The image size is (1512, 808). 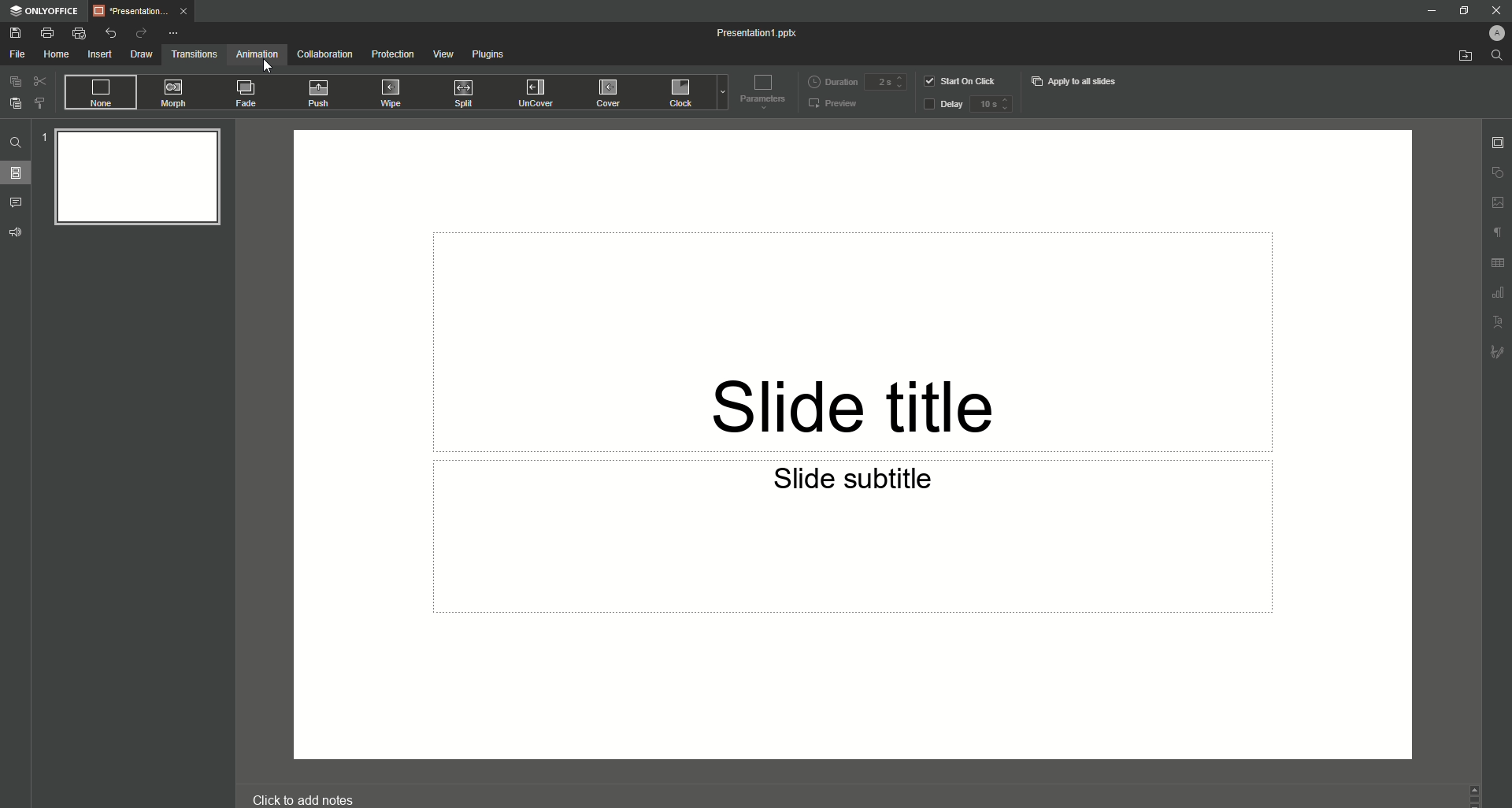 What do you see at coordinates (391, 93) in the screenshot?
I see `Wipe` at bounding box center [391, 93].